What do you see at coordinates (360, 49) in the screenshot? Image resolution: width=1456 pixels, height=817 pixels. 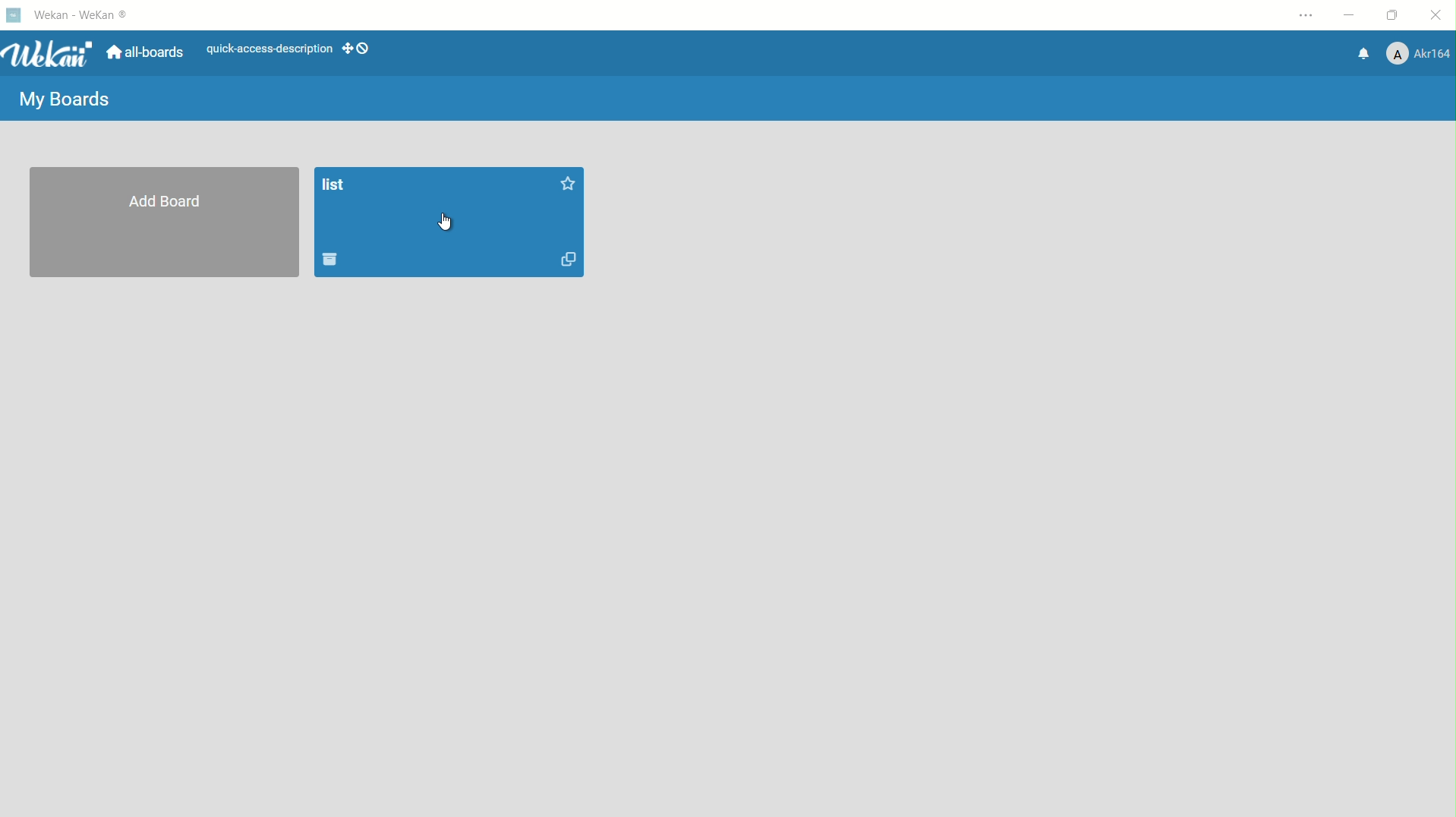 I see `show-desktop-drag-handles` at bounding box center [360, 49].